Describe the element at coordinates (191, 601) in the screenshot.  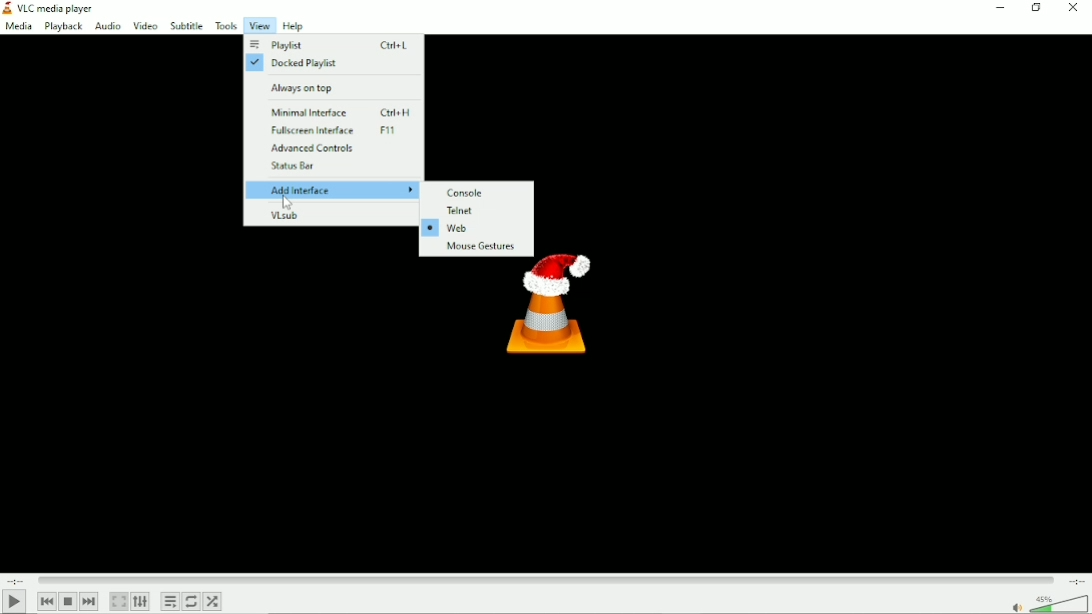
I see `Toggle between loop all, loop one and no loop` at that location.